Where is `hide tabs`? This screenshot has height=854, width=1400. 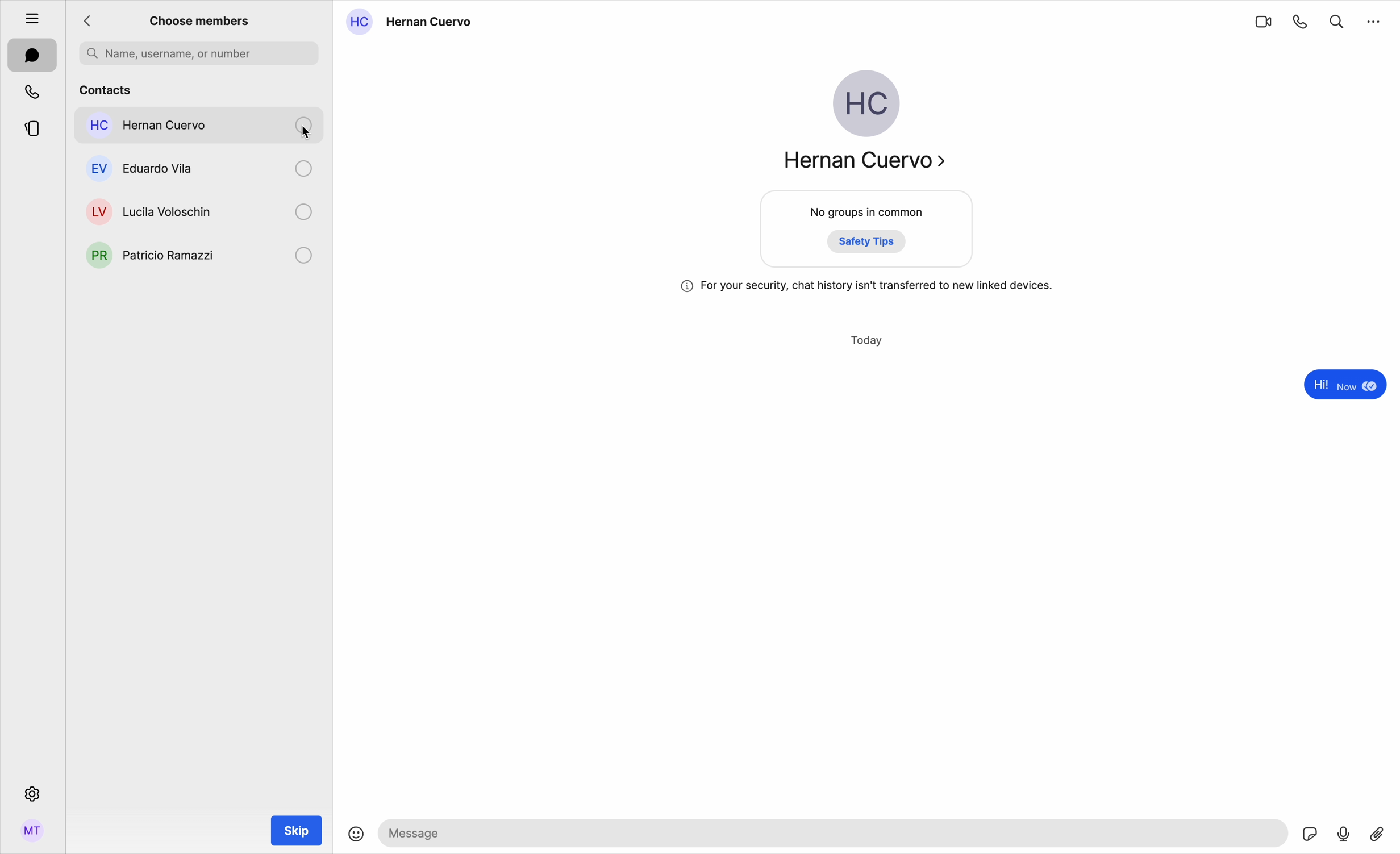
hide tabs is located at coordinates (26, 15).